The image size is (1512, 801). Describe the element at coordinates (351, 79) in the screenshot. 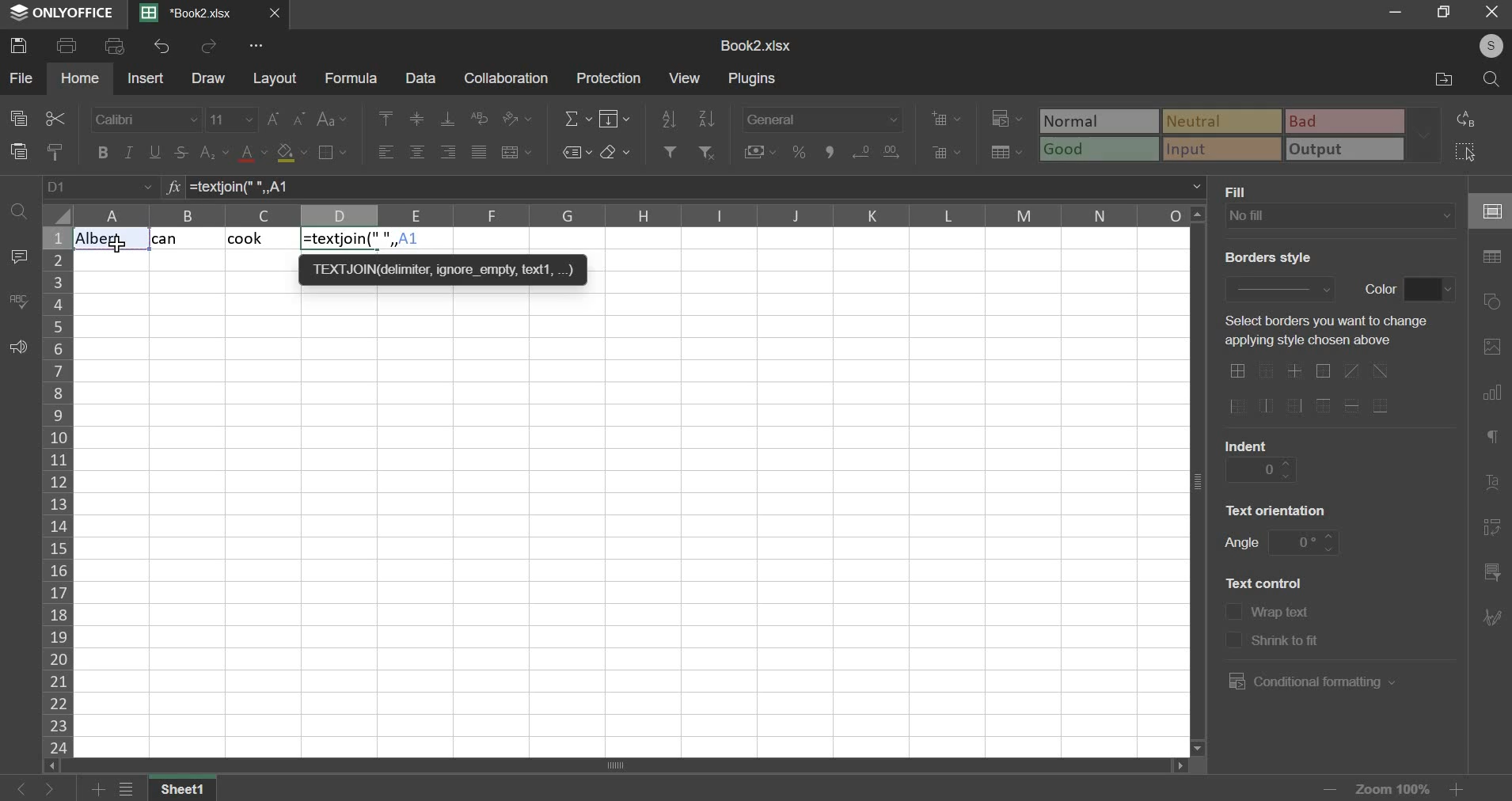

I see `formula` at that location.